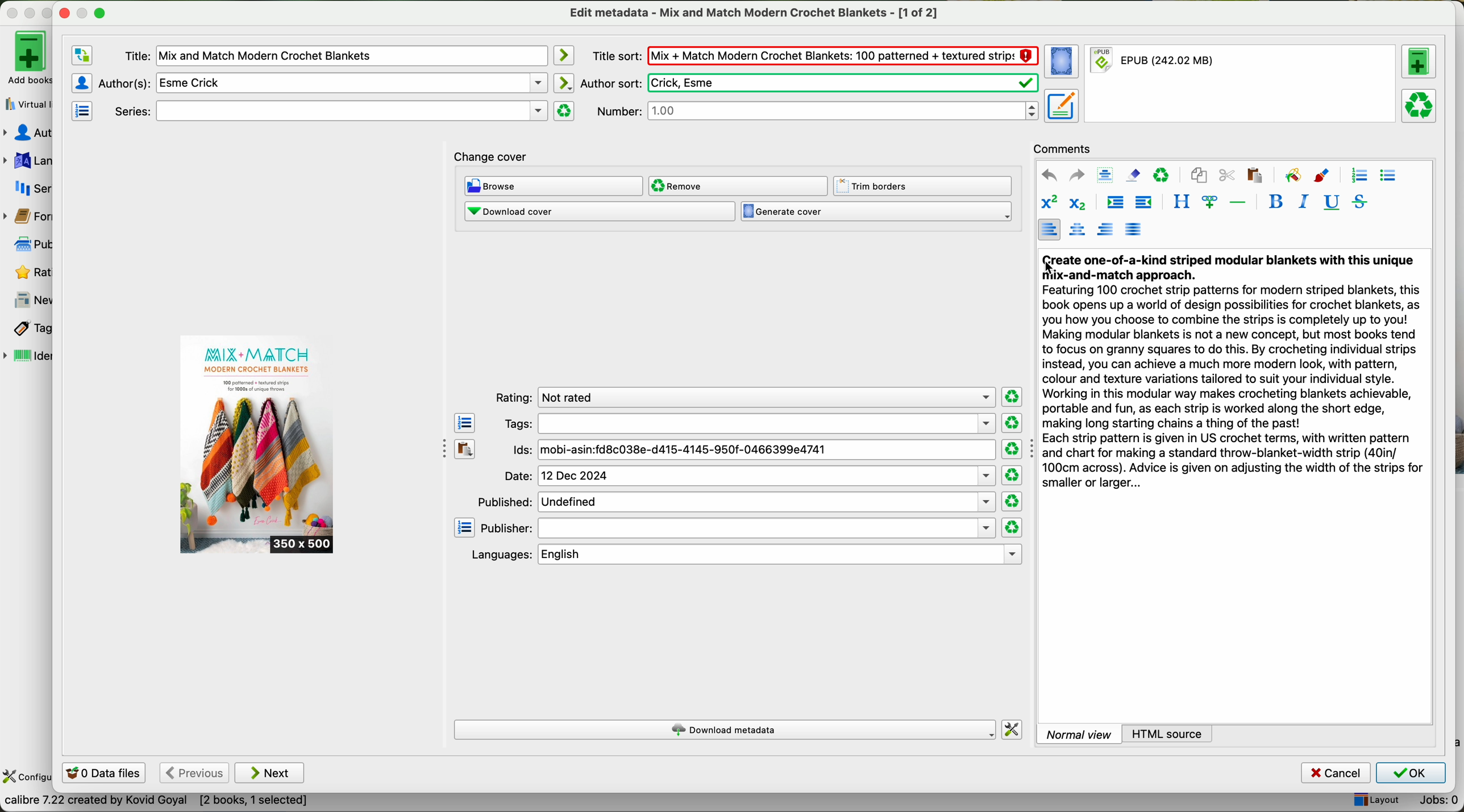 The height and width of the screenshot is (812, 1464). Describe the element at coordinates (26, 101) in the screenshot. I see `virtual library` at that location.